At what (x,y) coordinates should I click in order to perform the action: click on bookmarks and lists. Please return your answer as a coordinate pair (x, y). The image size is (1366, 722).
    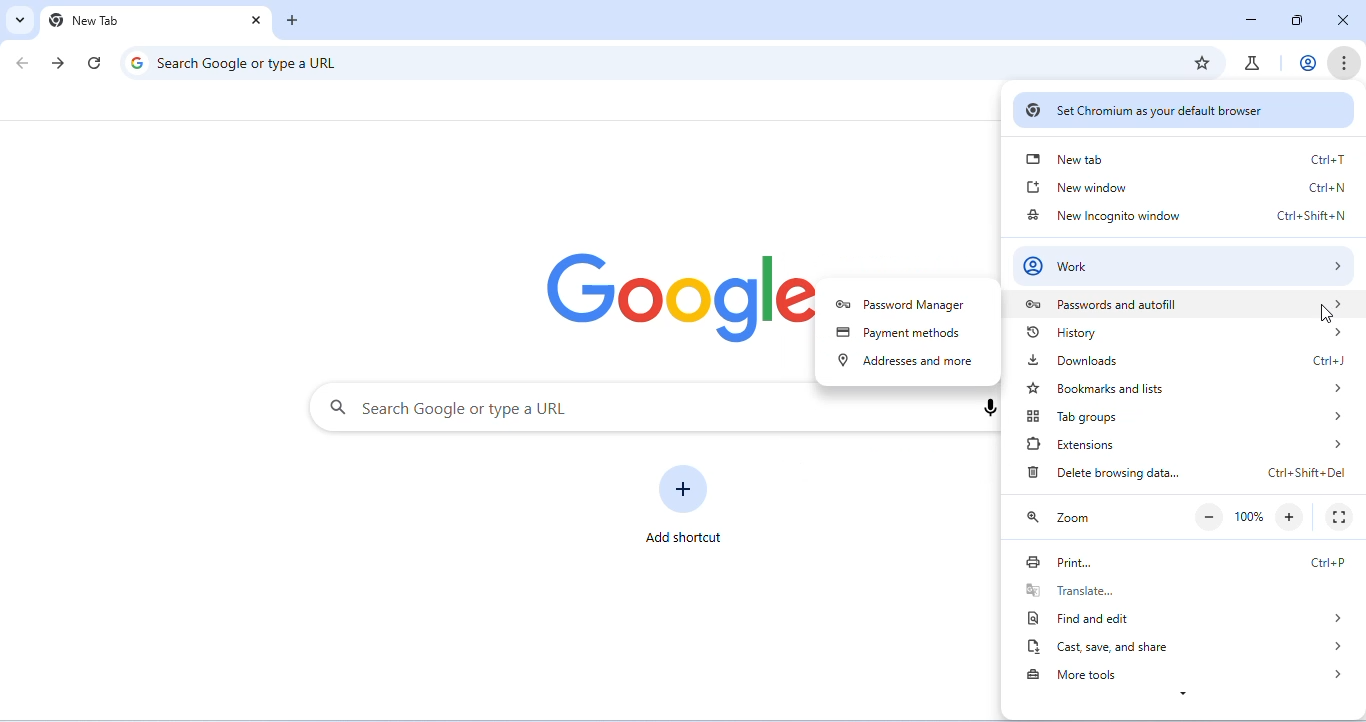
    Looking at the image, I should click on (1186, 388).